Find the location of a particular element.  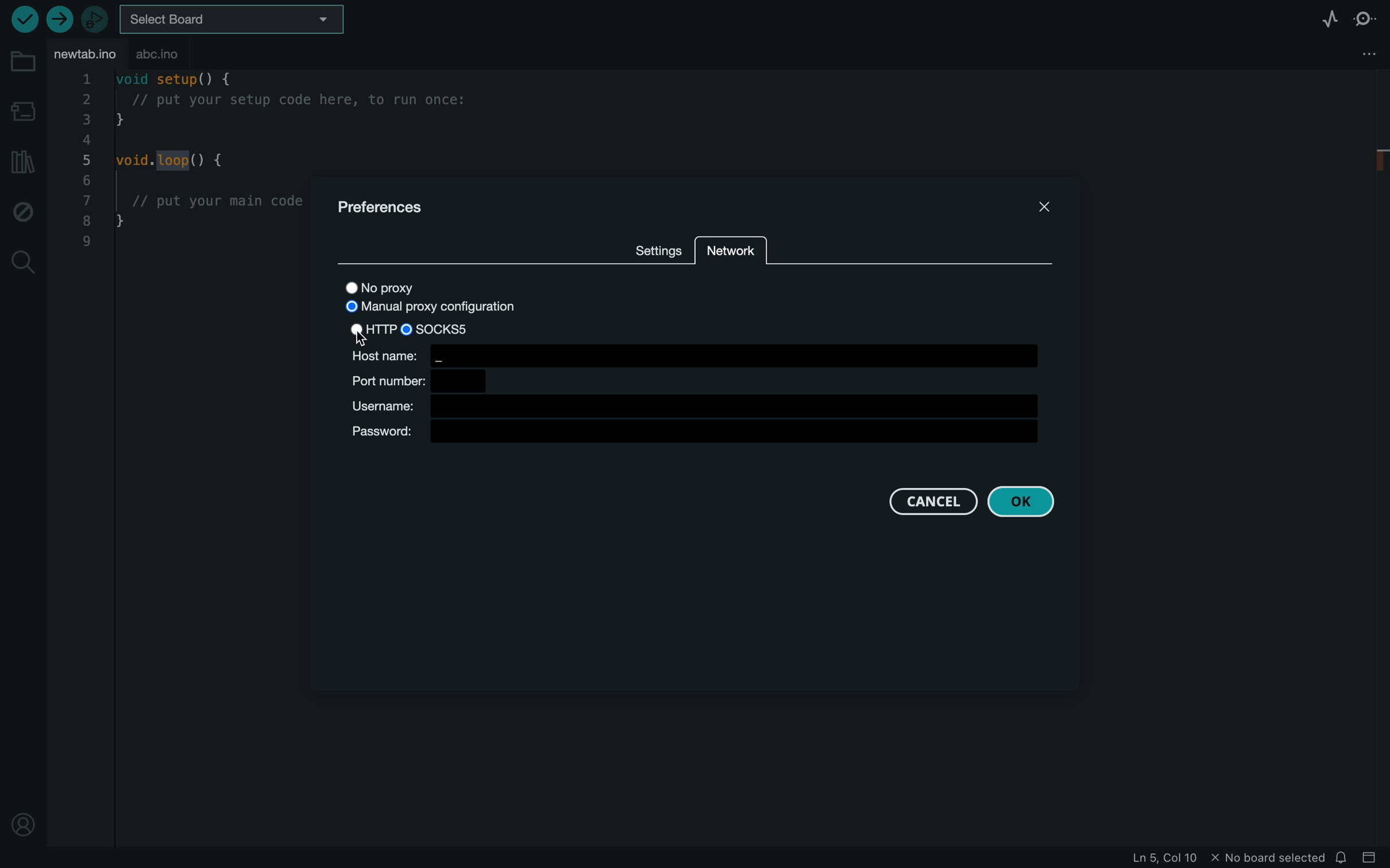

upload is located at coordinates (59, 21).